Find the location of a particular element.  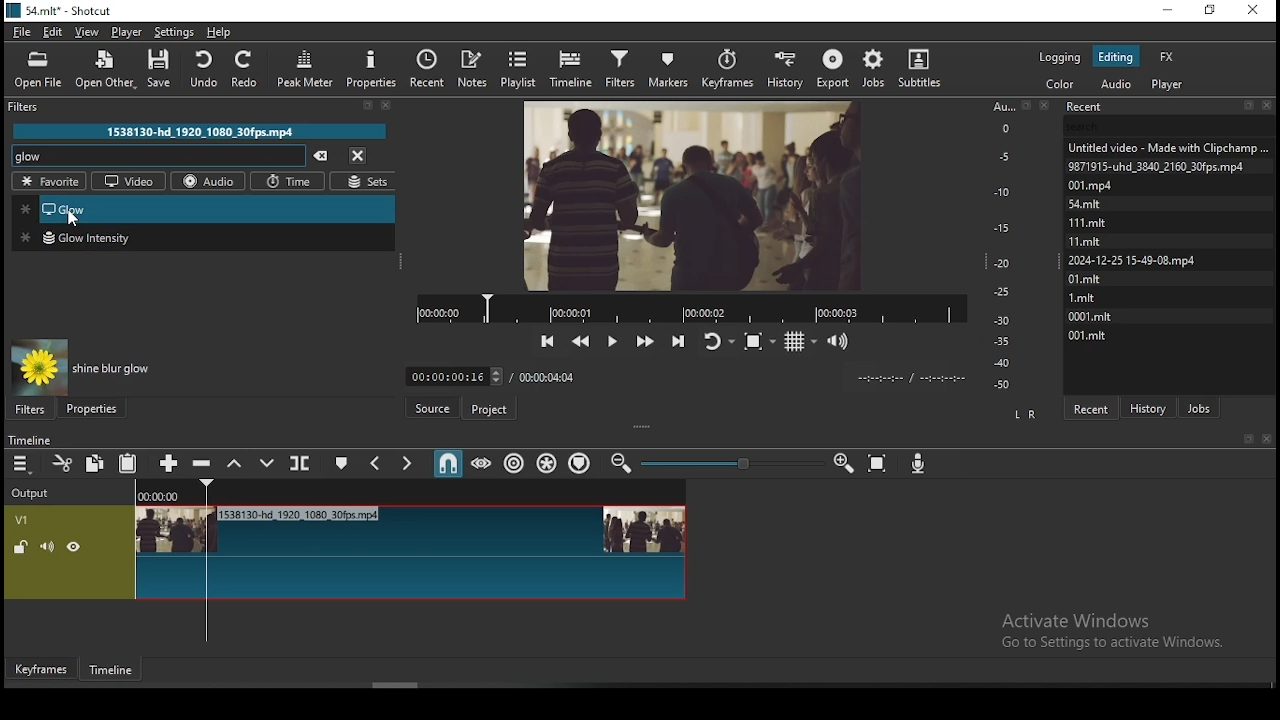

scrub while dragging is located at coordinates (483, 463).